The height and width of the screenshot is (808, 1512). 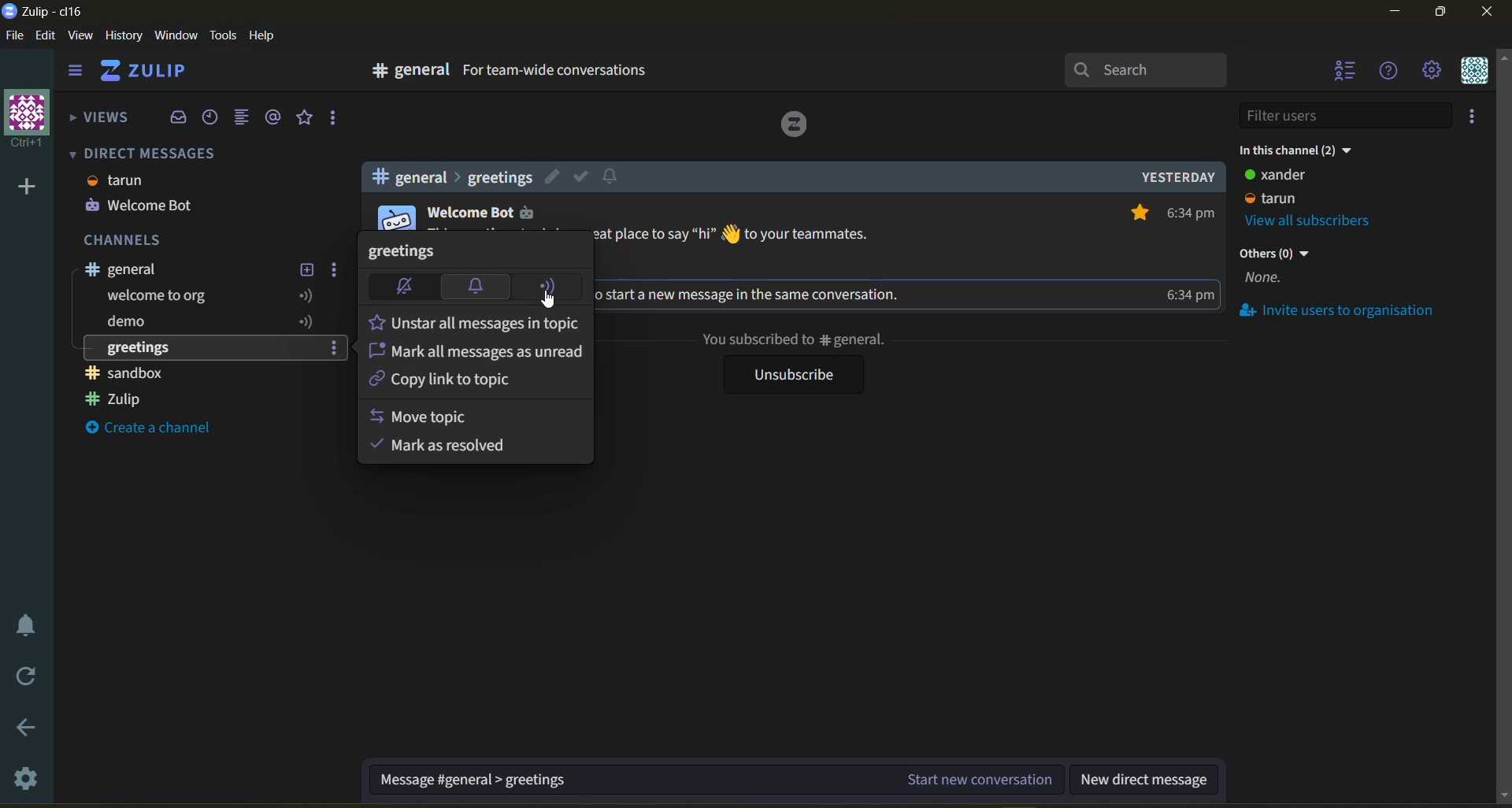 What do you see at coordinates (1144, 776) in the screenshot?
I see `new direct message` at bounding box center [1144, 776].